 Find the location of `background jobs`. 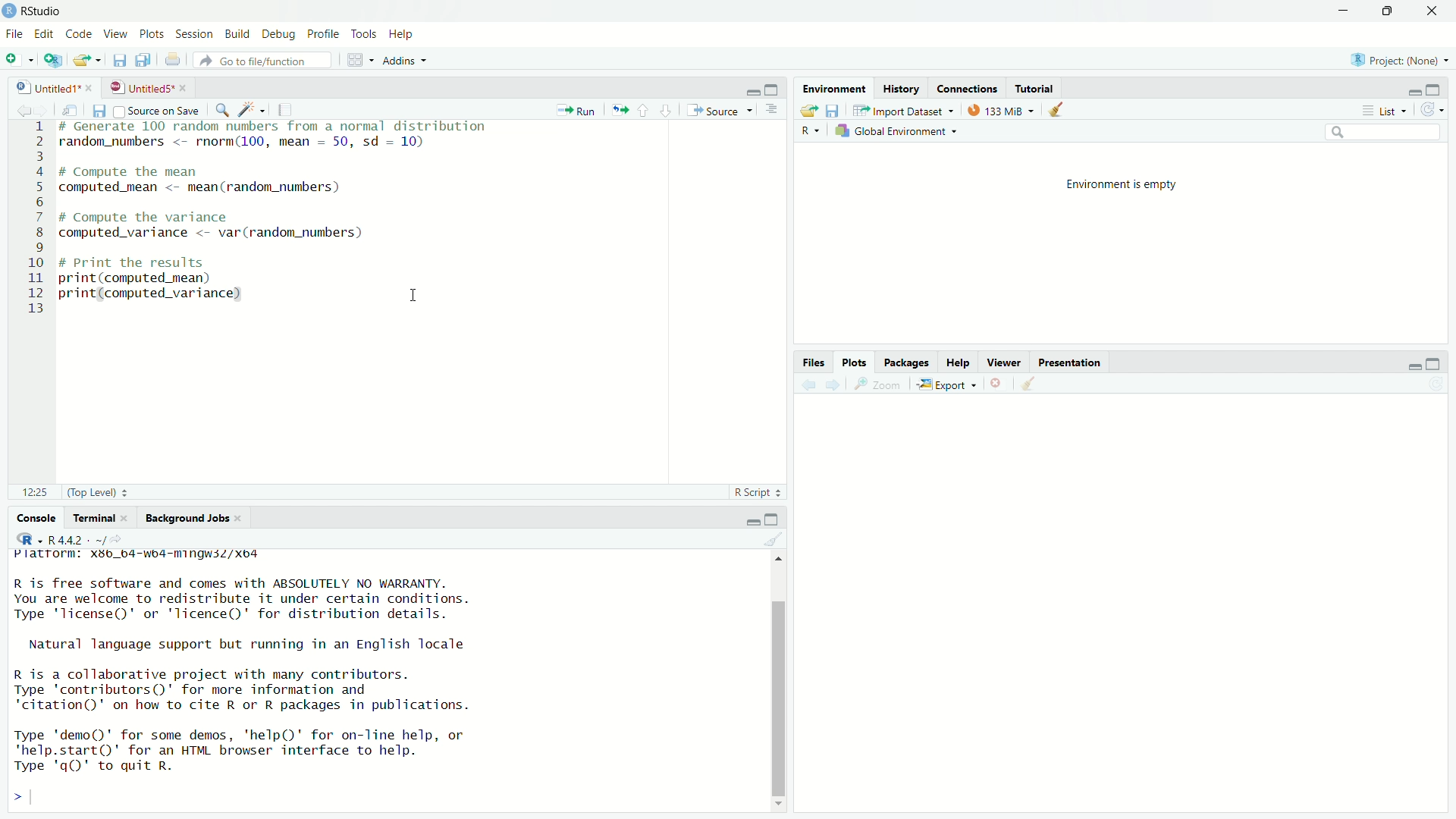

background jobs is located at coordinates (188, 516).